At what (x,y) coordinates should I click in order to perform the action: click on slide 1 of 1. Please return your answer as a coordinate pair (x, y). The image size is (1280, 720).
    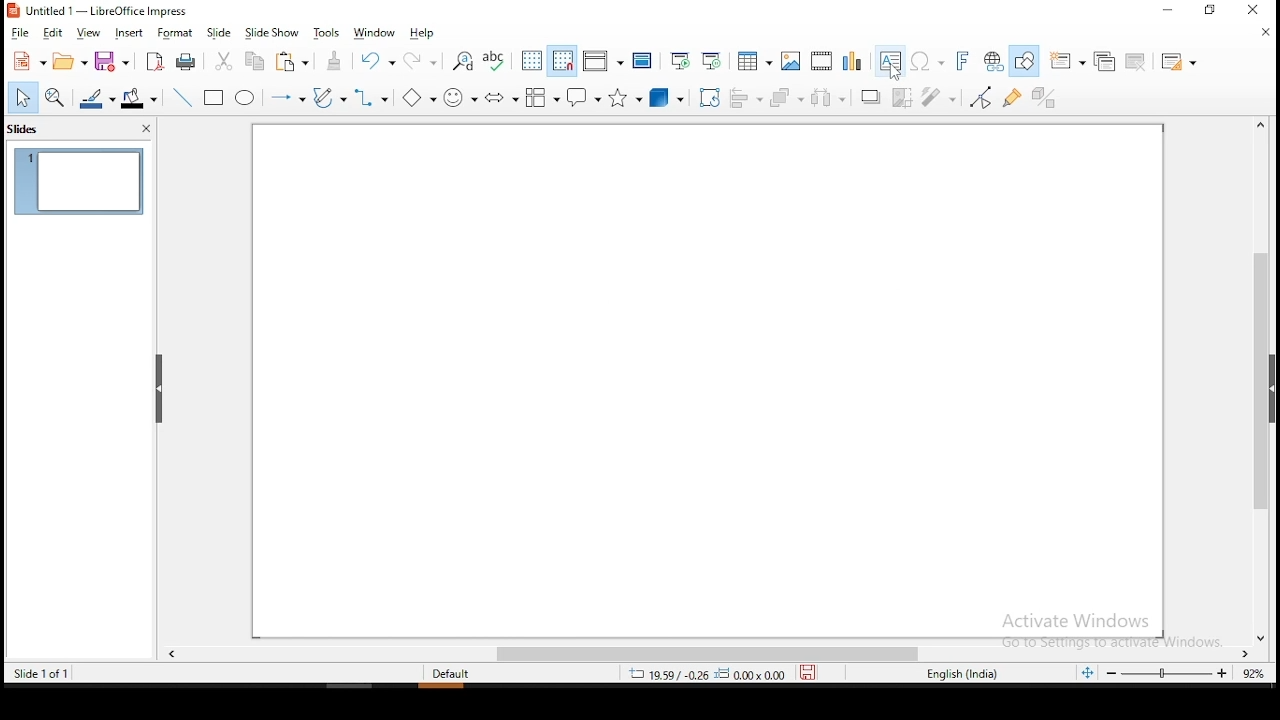
    Looking at the image, I should click on (41, 673).